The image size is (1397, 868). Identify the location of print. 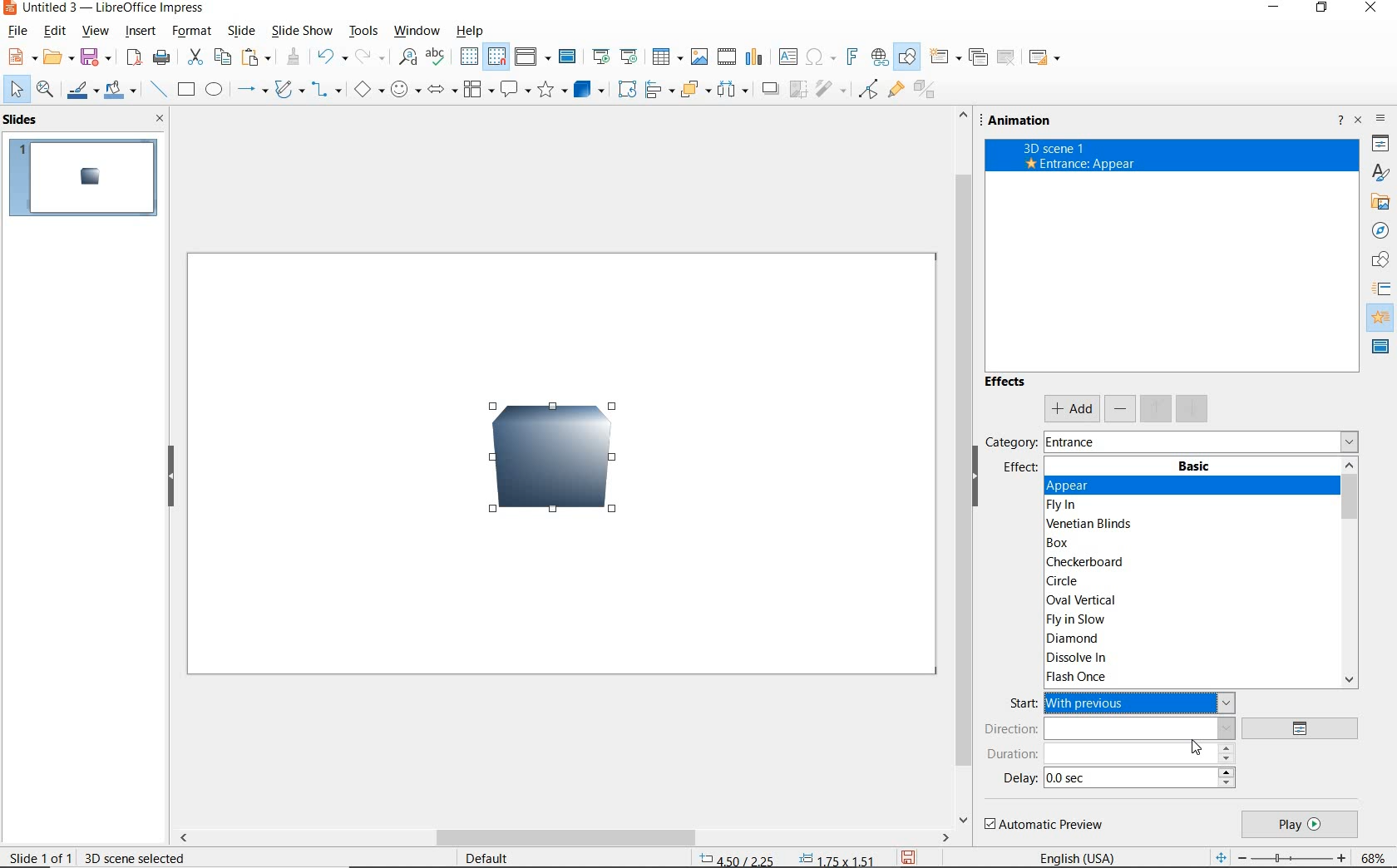
(160, 57).